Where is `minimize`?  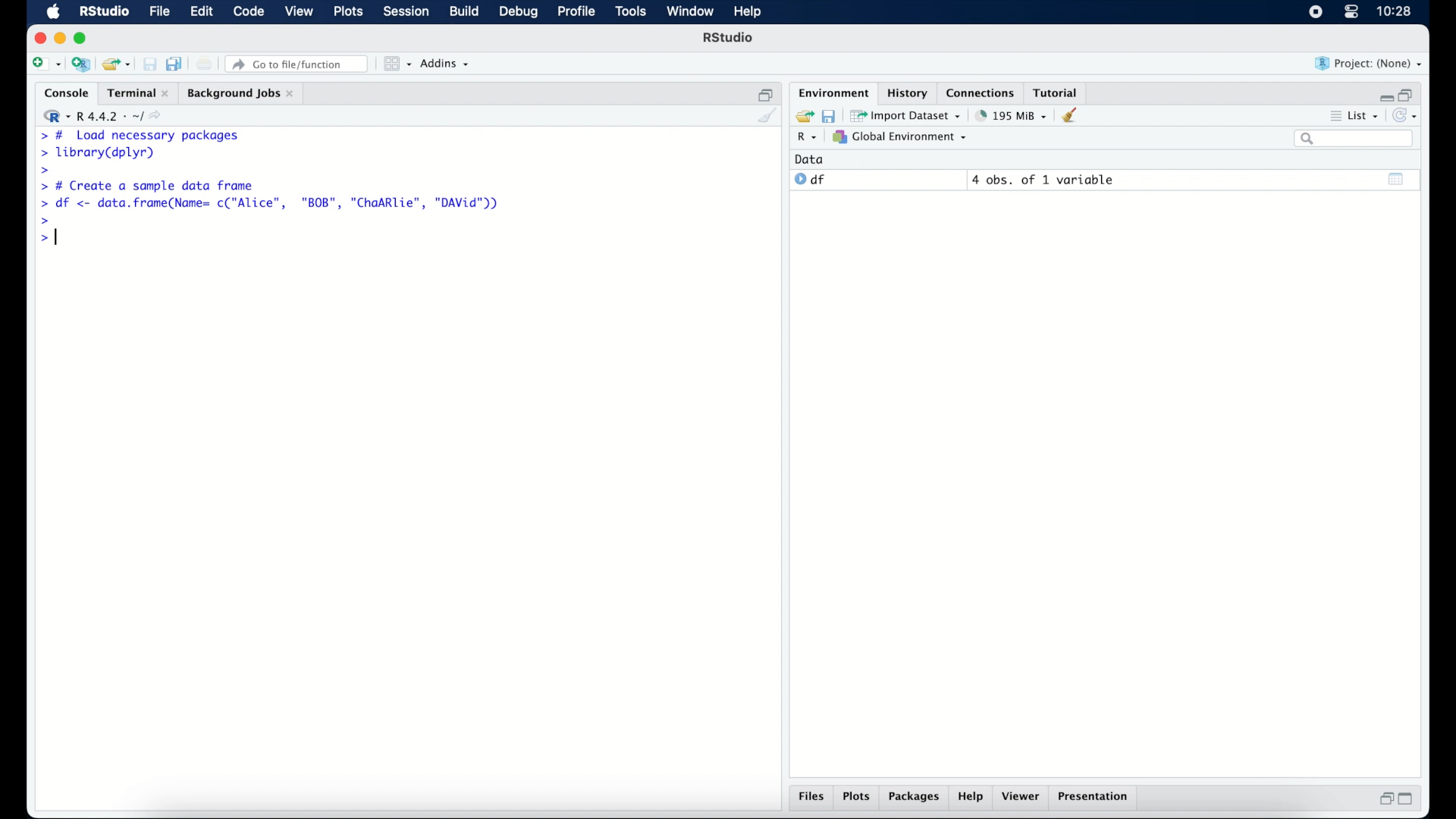 minimize is located at coordinates (60, 38).